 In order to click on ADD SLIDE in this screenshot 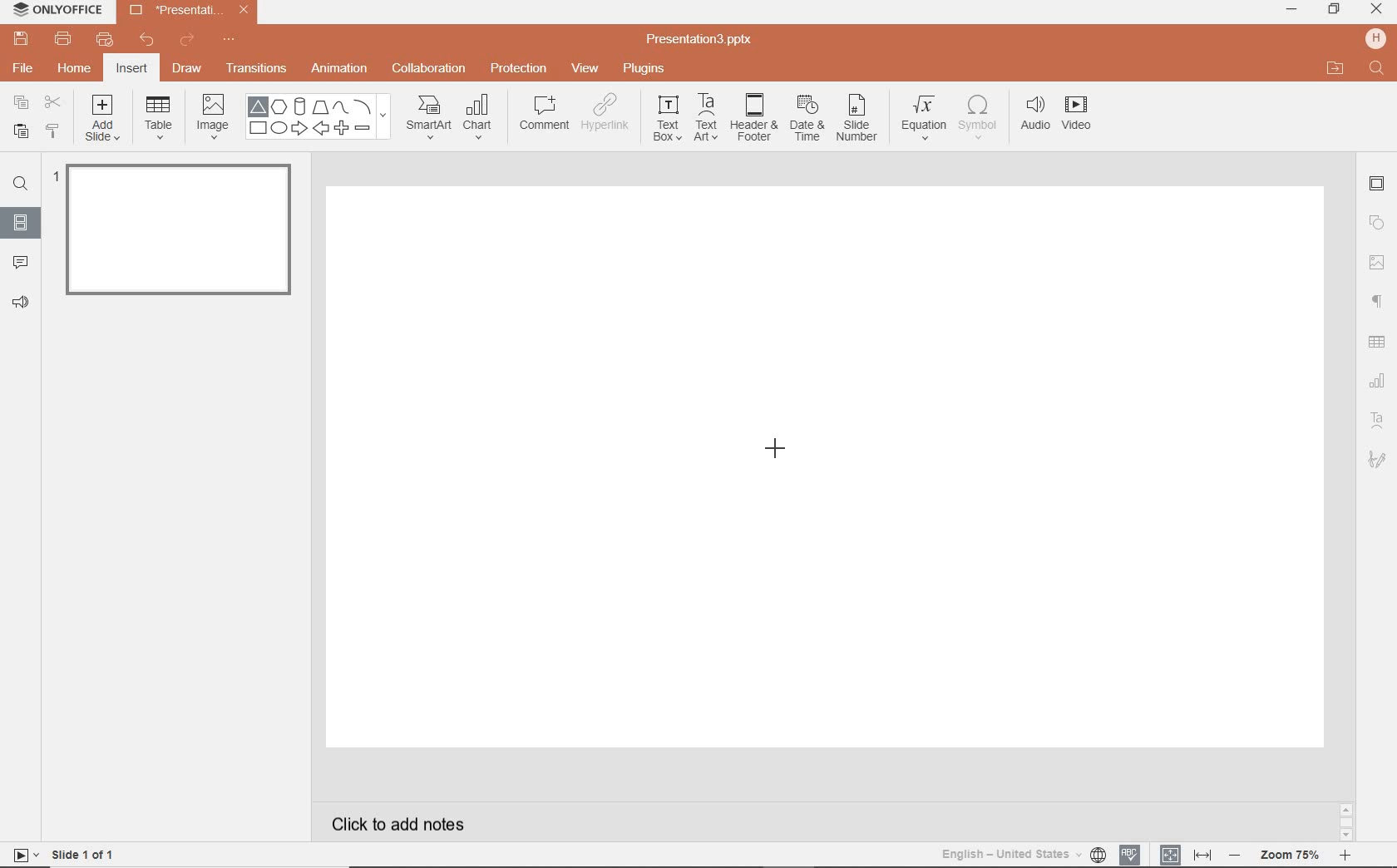, I will do `click(105, 121)`.